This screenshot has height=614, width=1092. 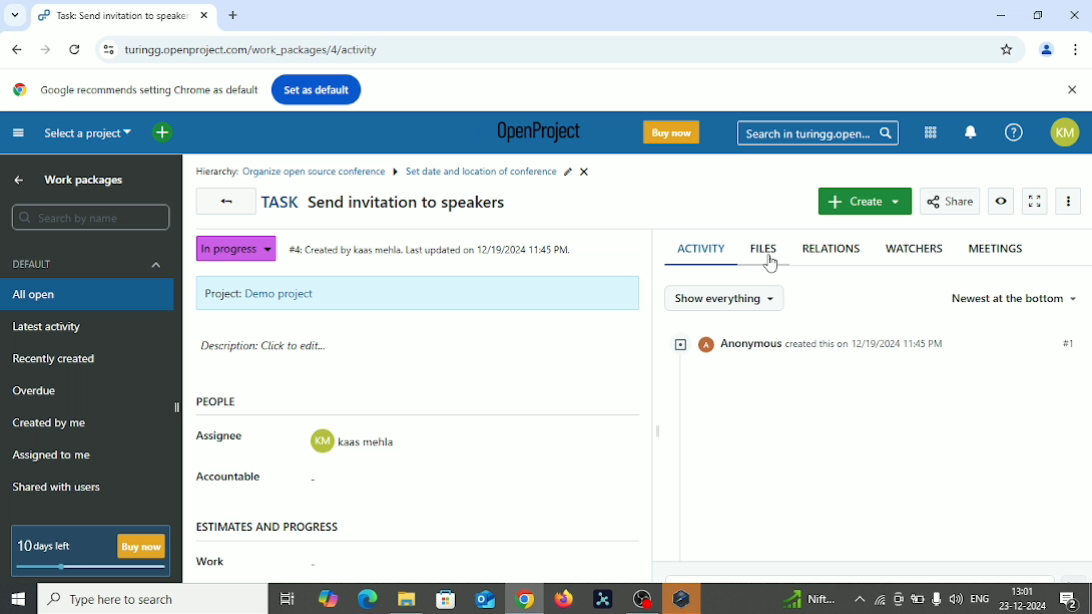 I want to click on current tab: Task: Send invitation to speake, so click(x=113, y=16).